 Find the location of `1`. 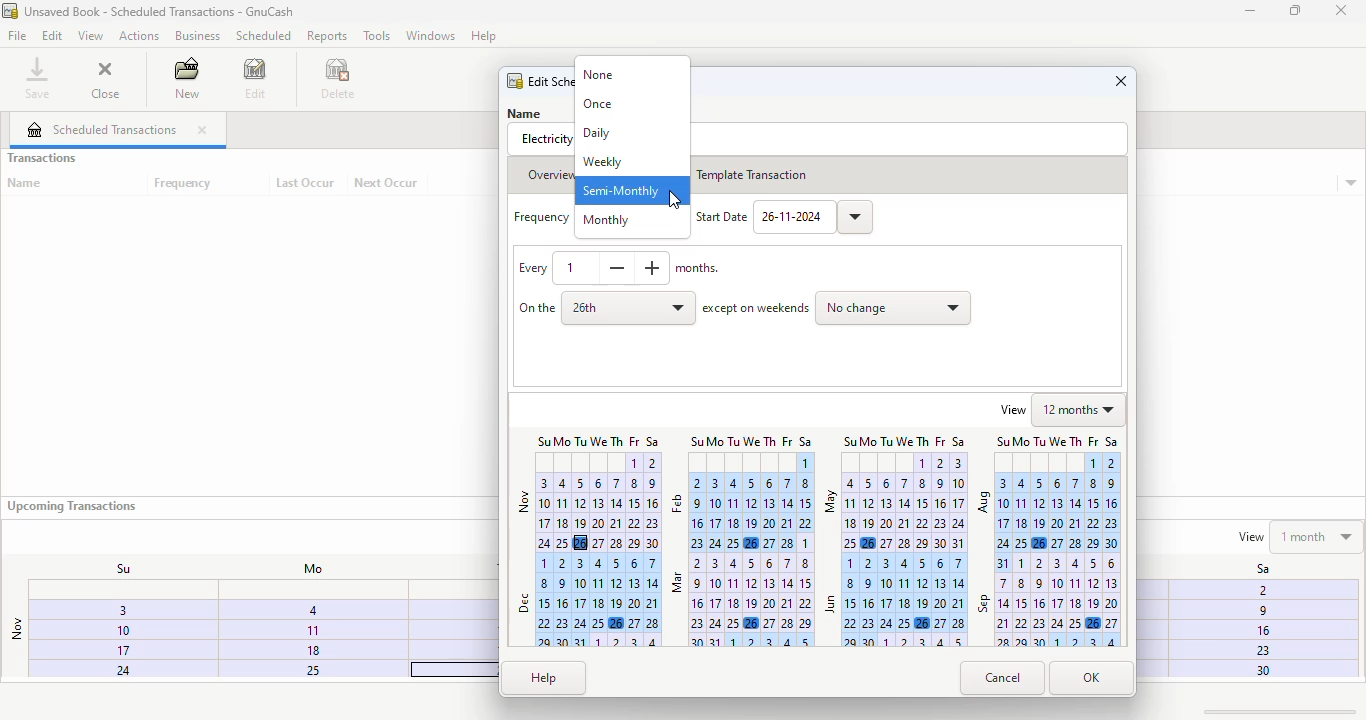

1 is located at coordinates (311, 629).